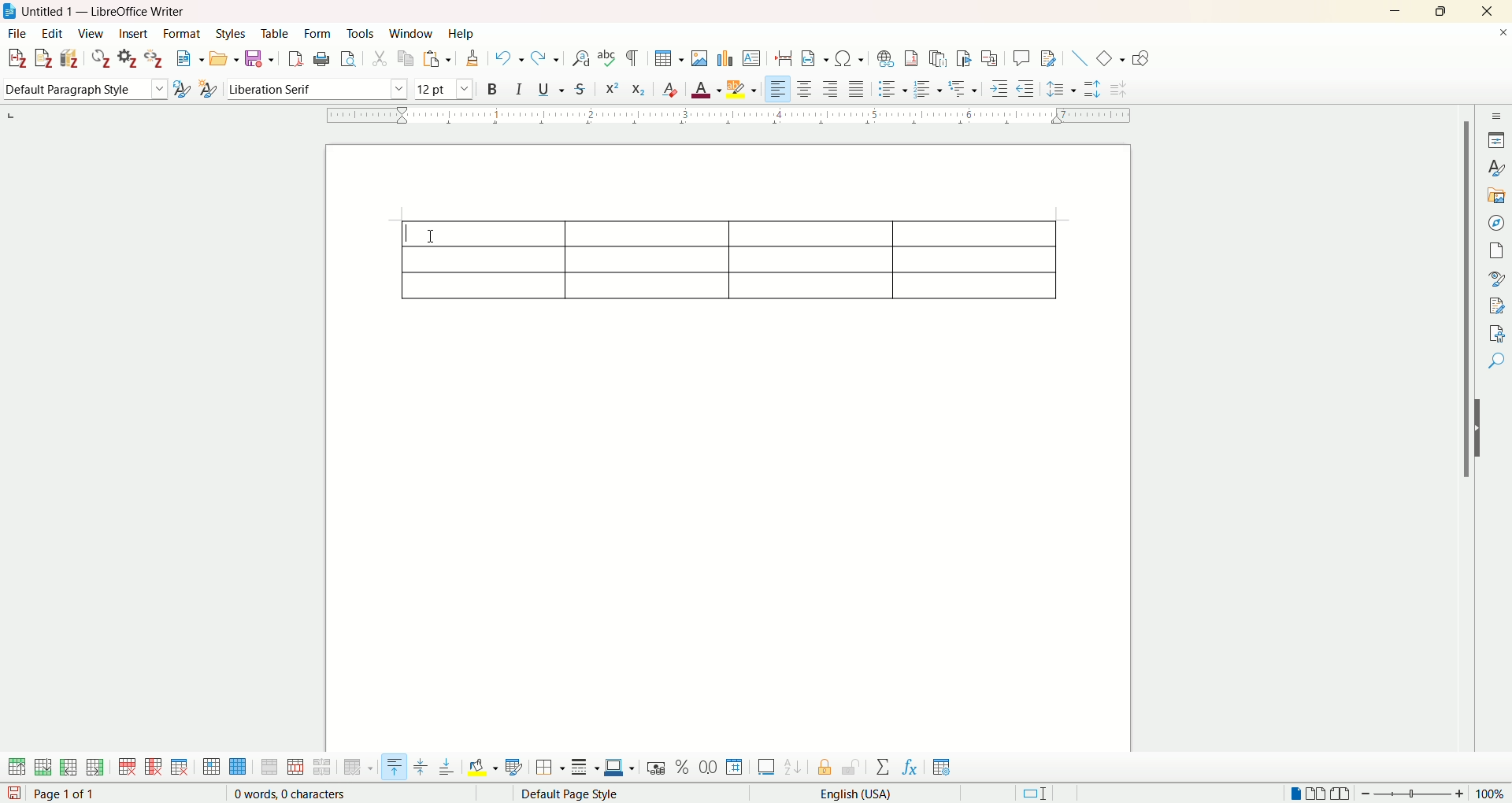  Describe the element at coordinates (484, 768) in the screenshot. I see `background color` at that location.